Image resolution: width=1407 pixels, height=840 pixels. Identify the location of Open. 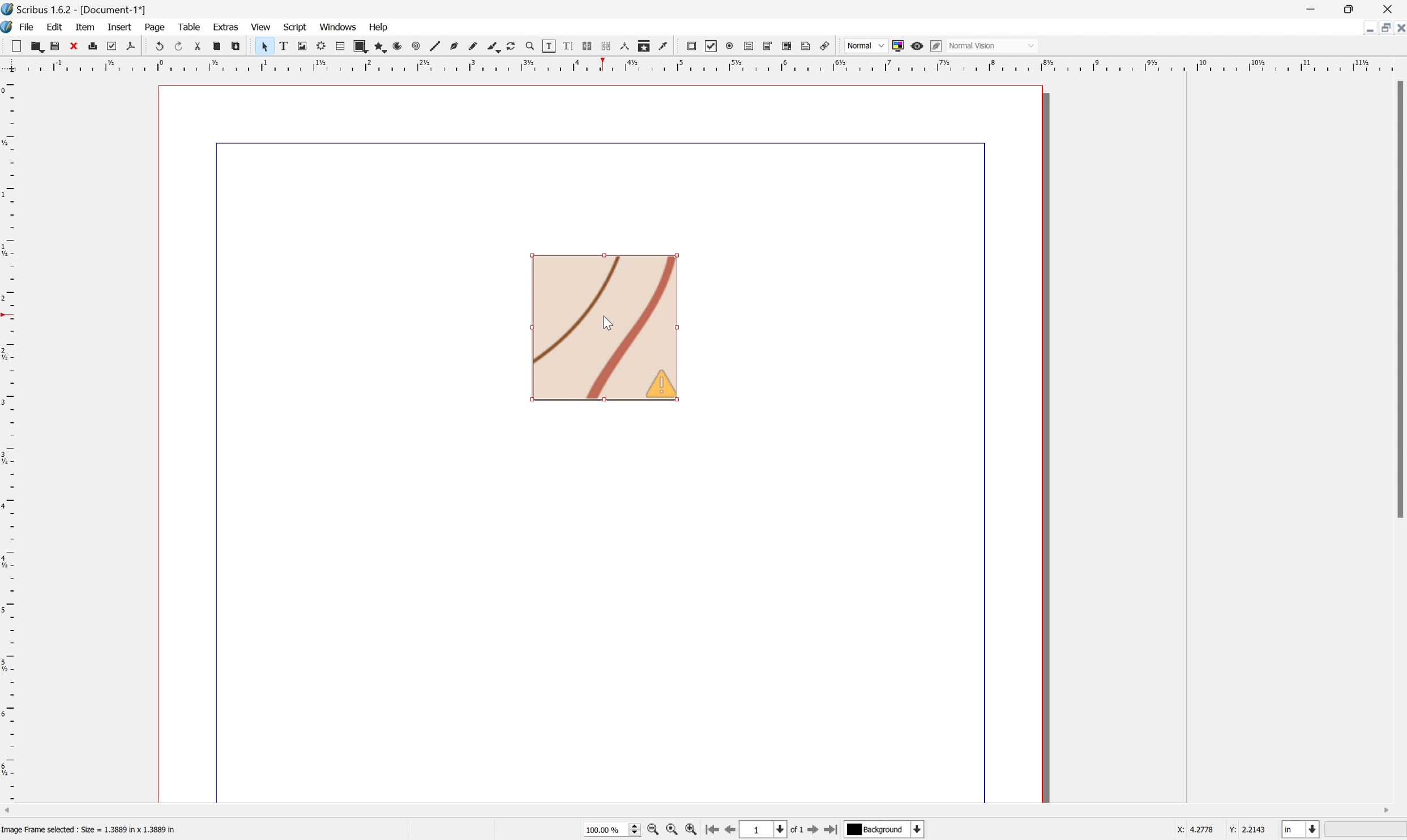
(36, 46).